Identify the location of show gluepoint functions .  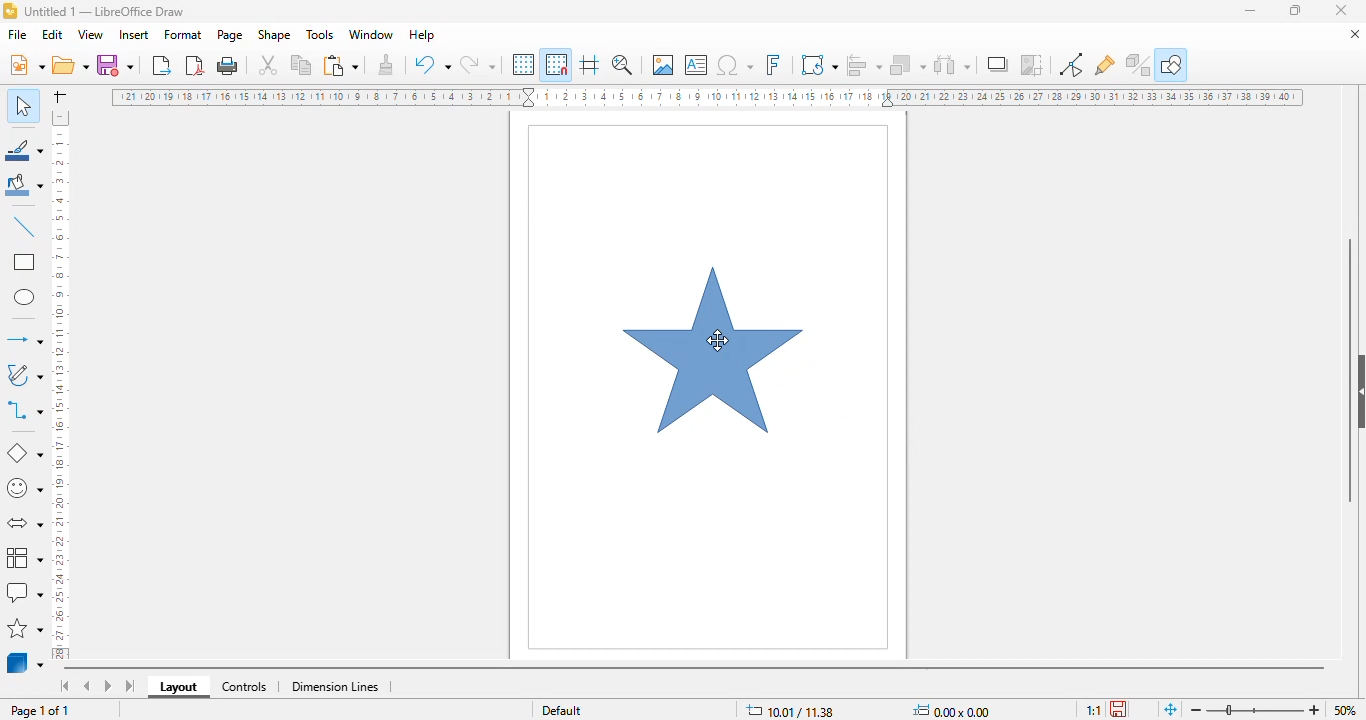
(1105, 65).